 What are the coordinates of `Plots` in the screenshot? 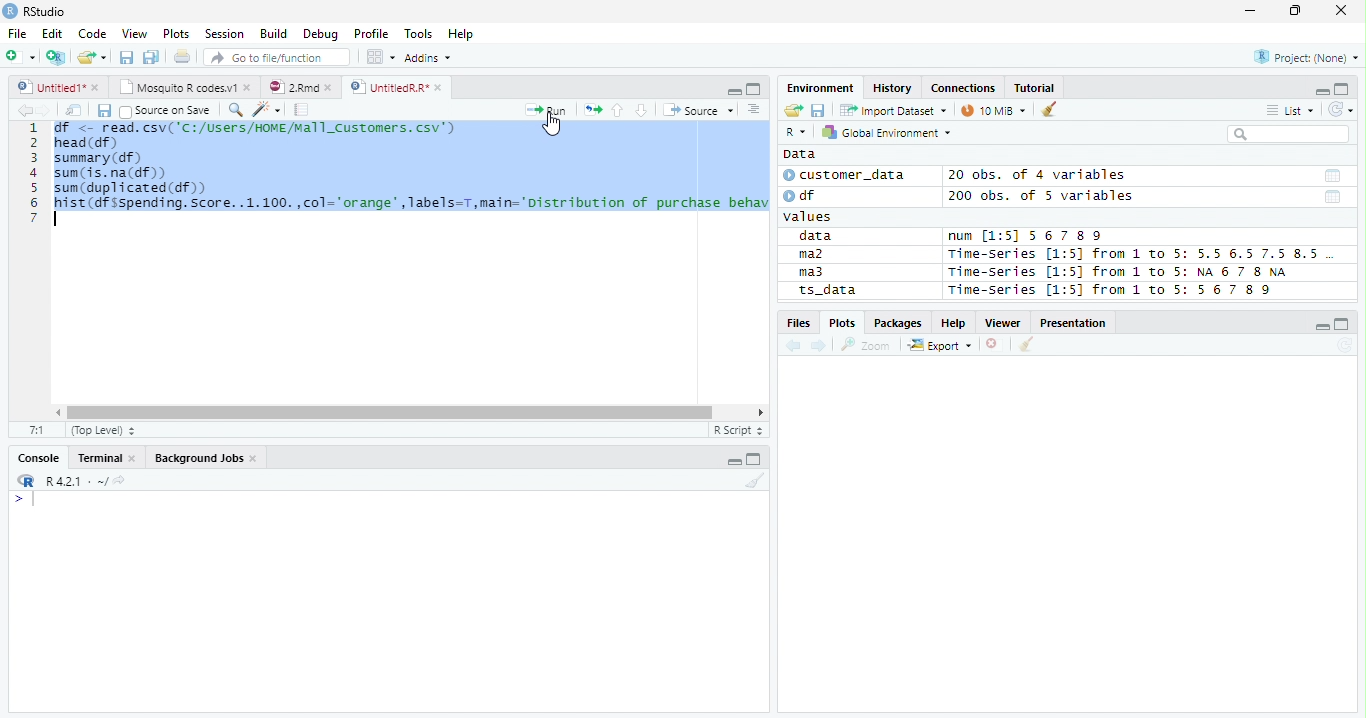 It's located at (176, 34).